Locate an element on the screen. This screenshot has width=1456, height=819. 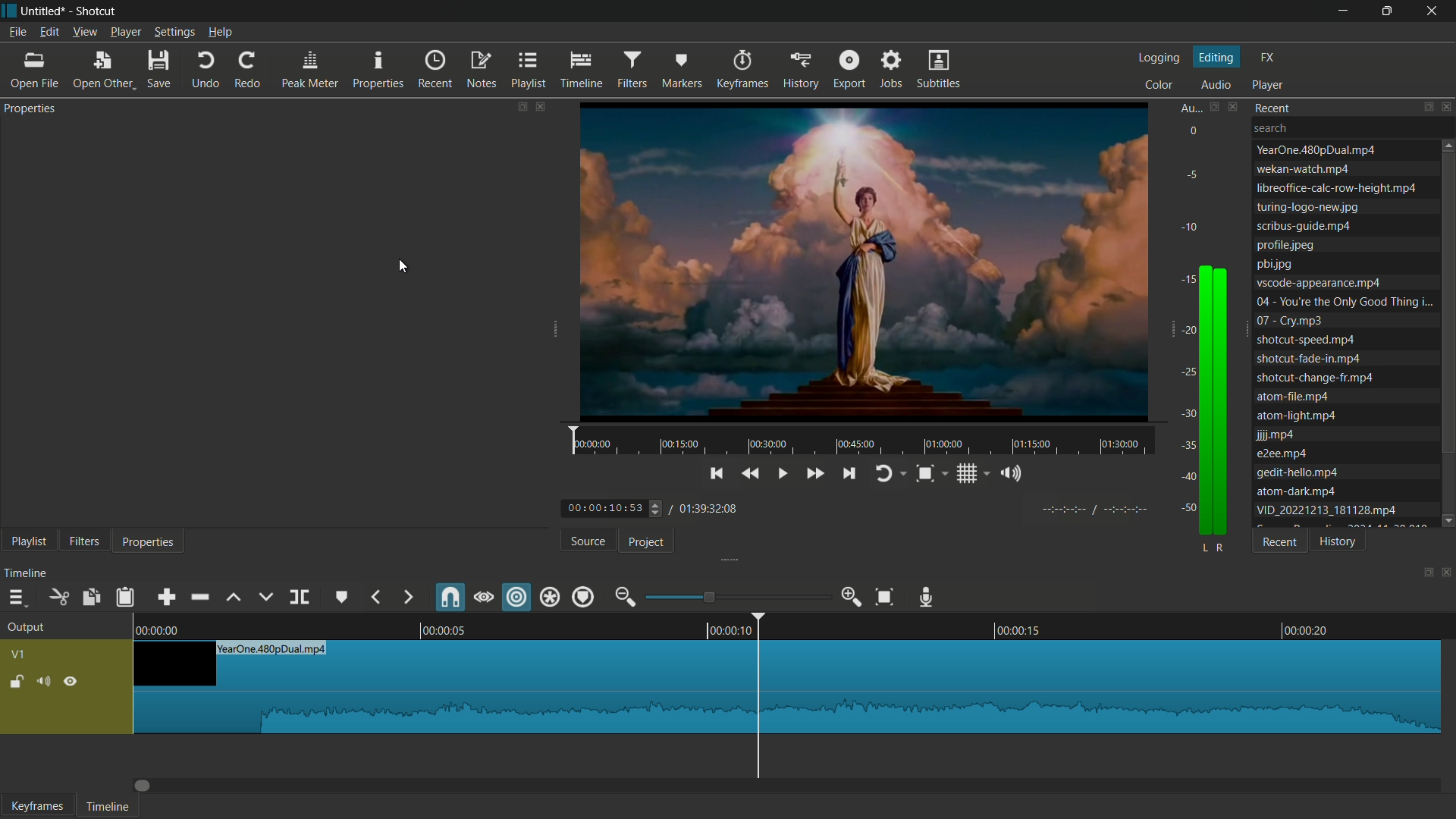
history is located at coordinates (802, 70).